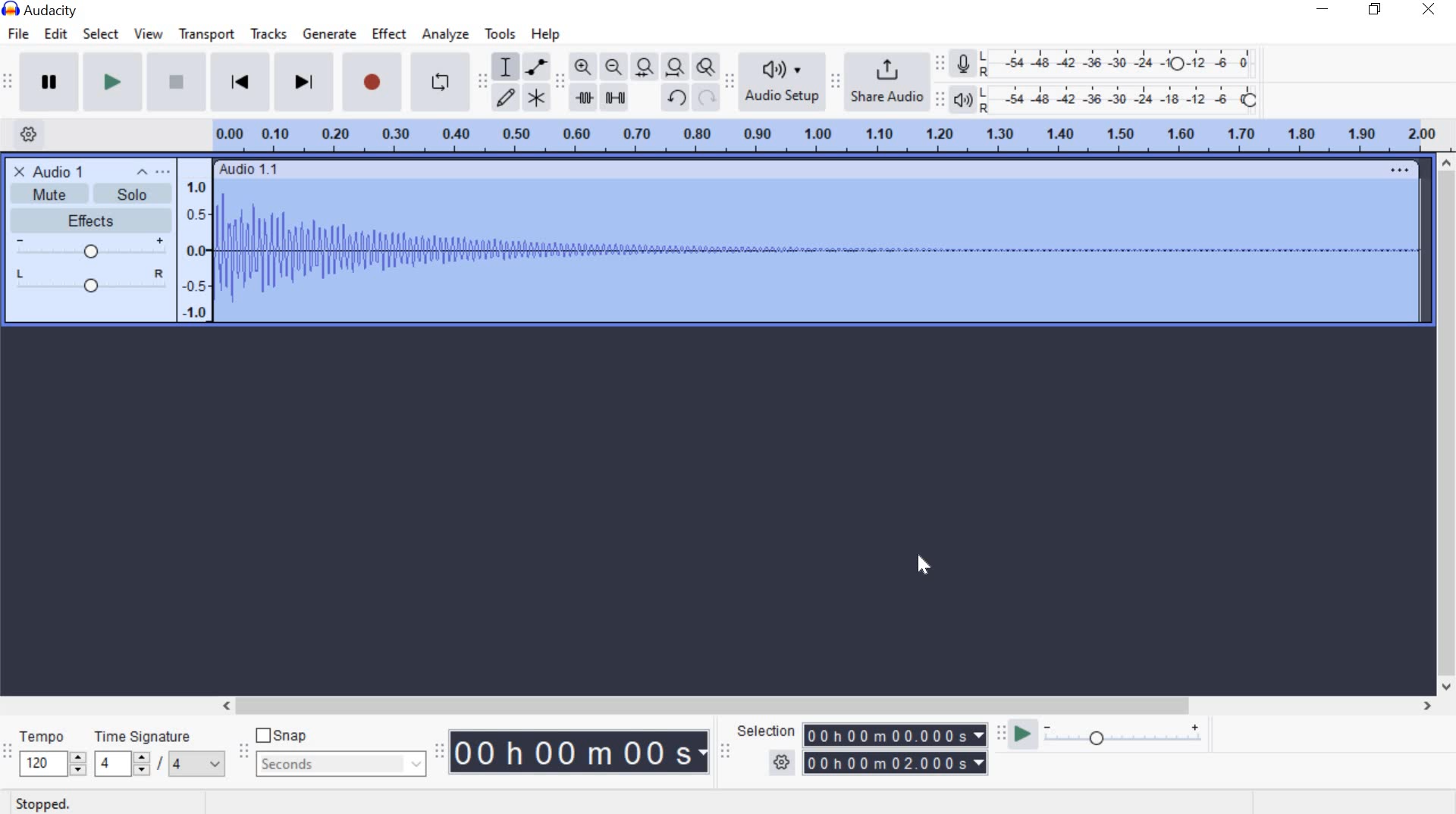 Image resolution: width=1456 pixels, height=814 pixels. Describe the element at coordinates (582, 66) in the screenshot. I see `Zoom In` at that location.